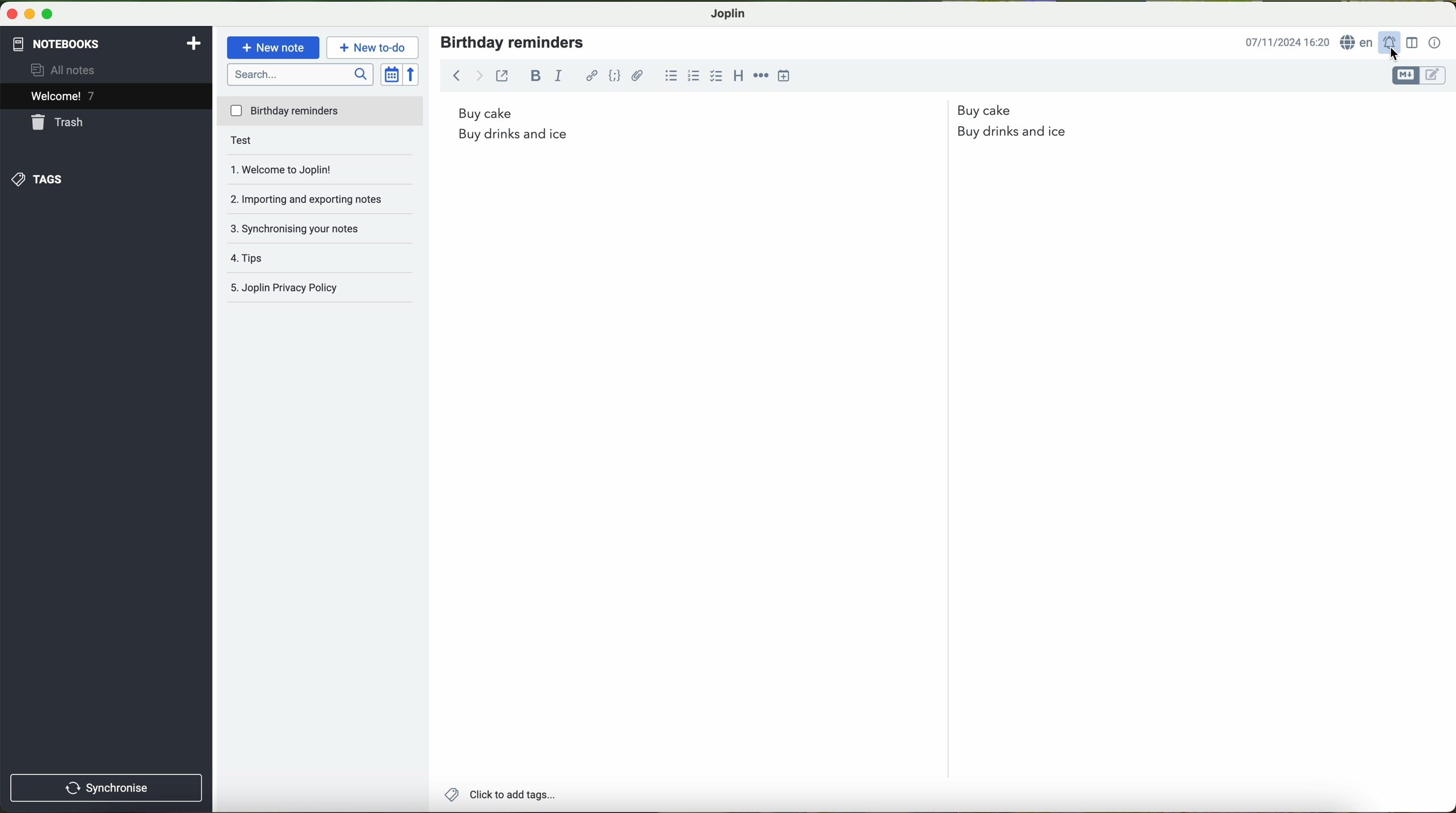 This screenshot has width=1456, height=813. I want to click on welcome 6, so click(64, 97).